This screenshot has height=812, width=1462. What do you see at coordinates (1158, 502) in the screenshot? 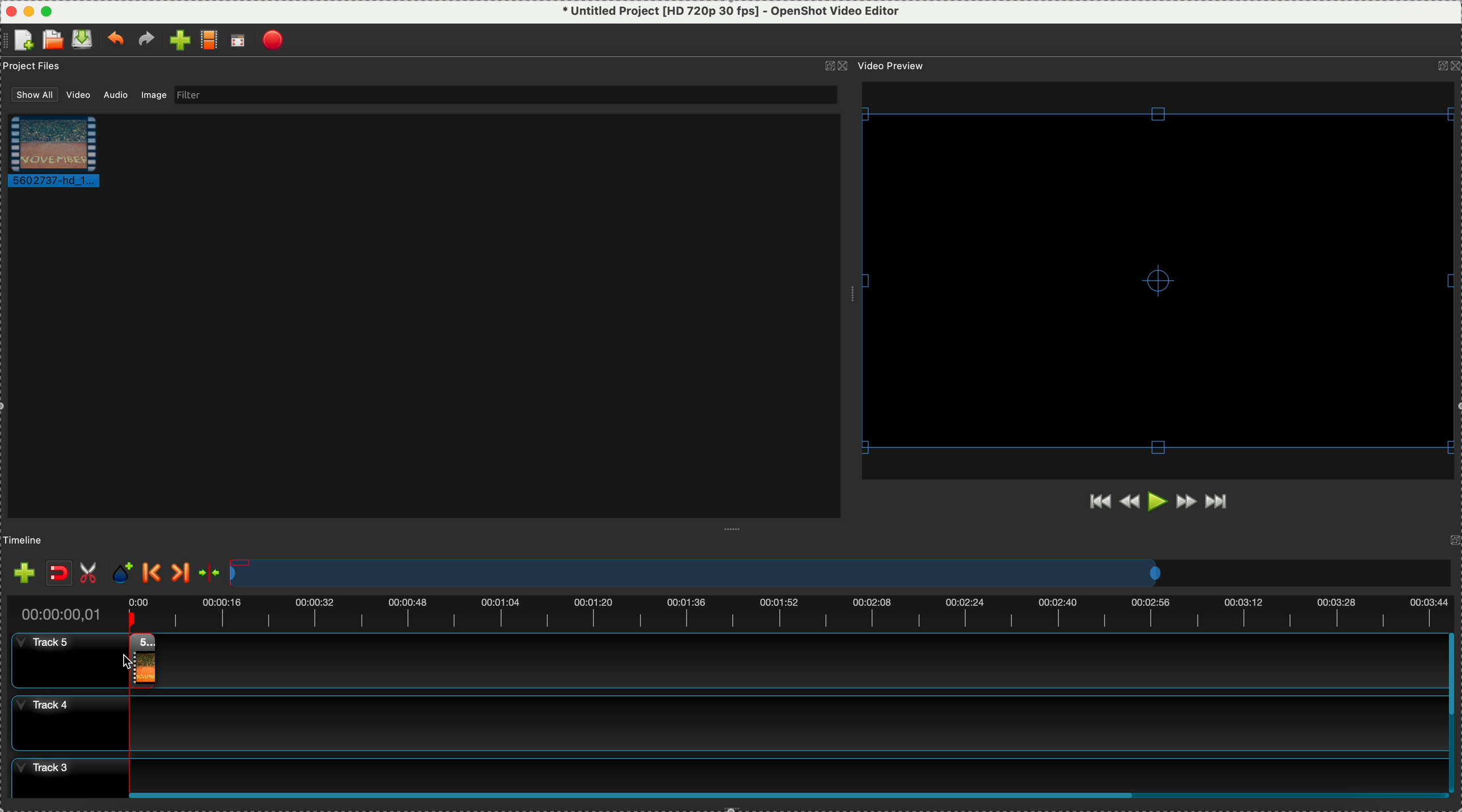
I see `play` at bounding box center [1158, 502].